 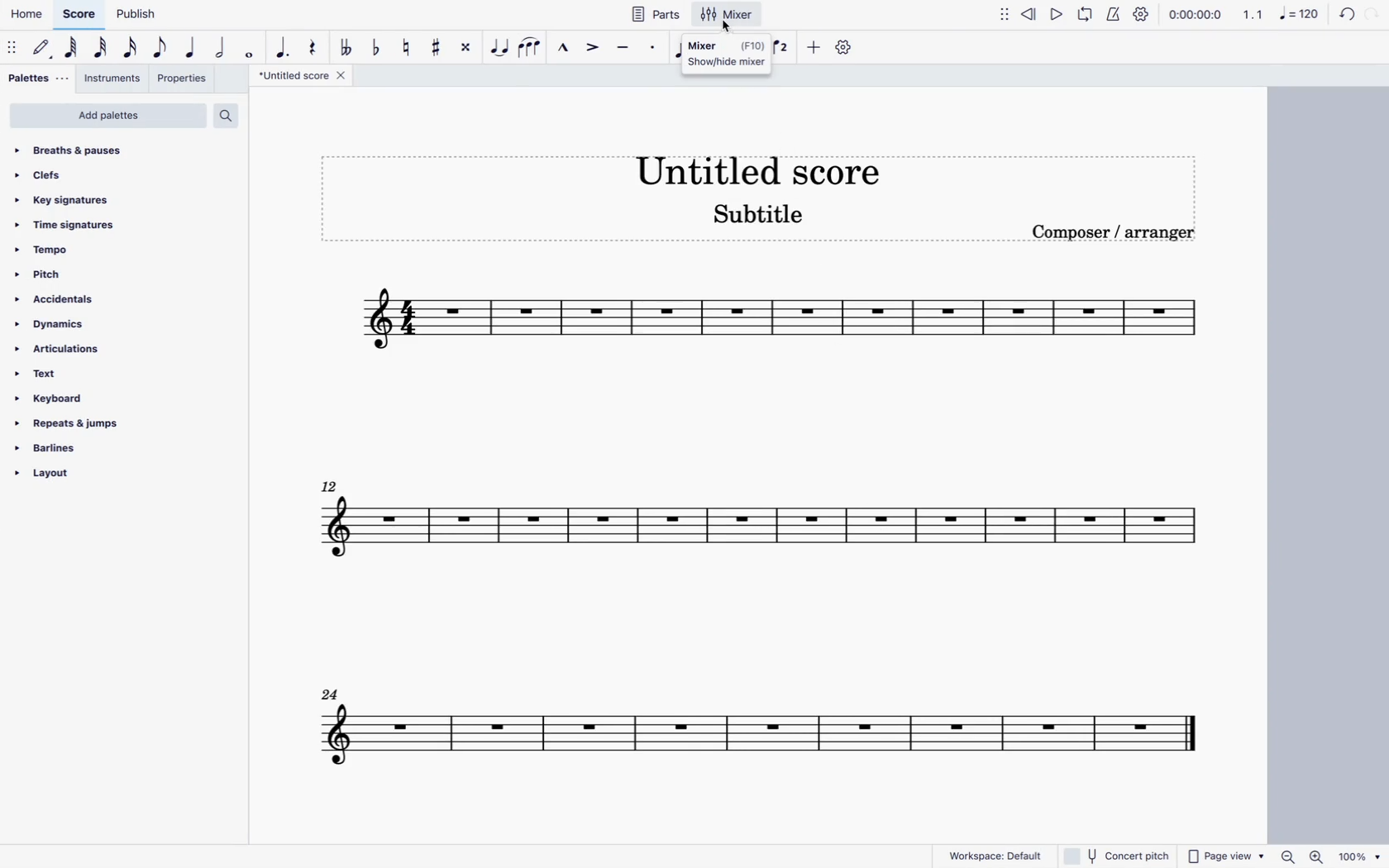 What do you see at coordinates (1372, 16) in the screenshot?
I see `forward` at bounding box center [1372, 16].